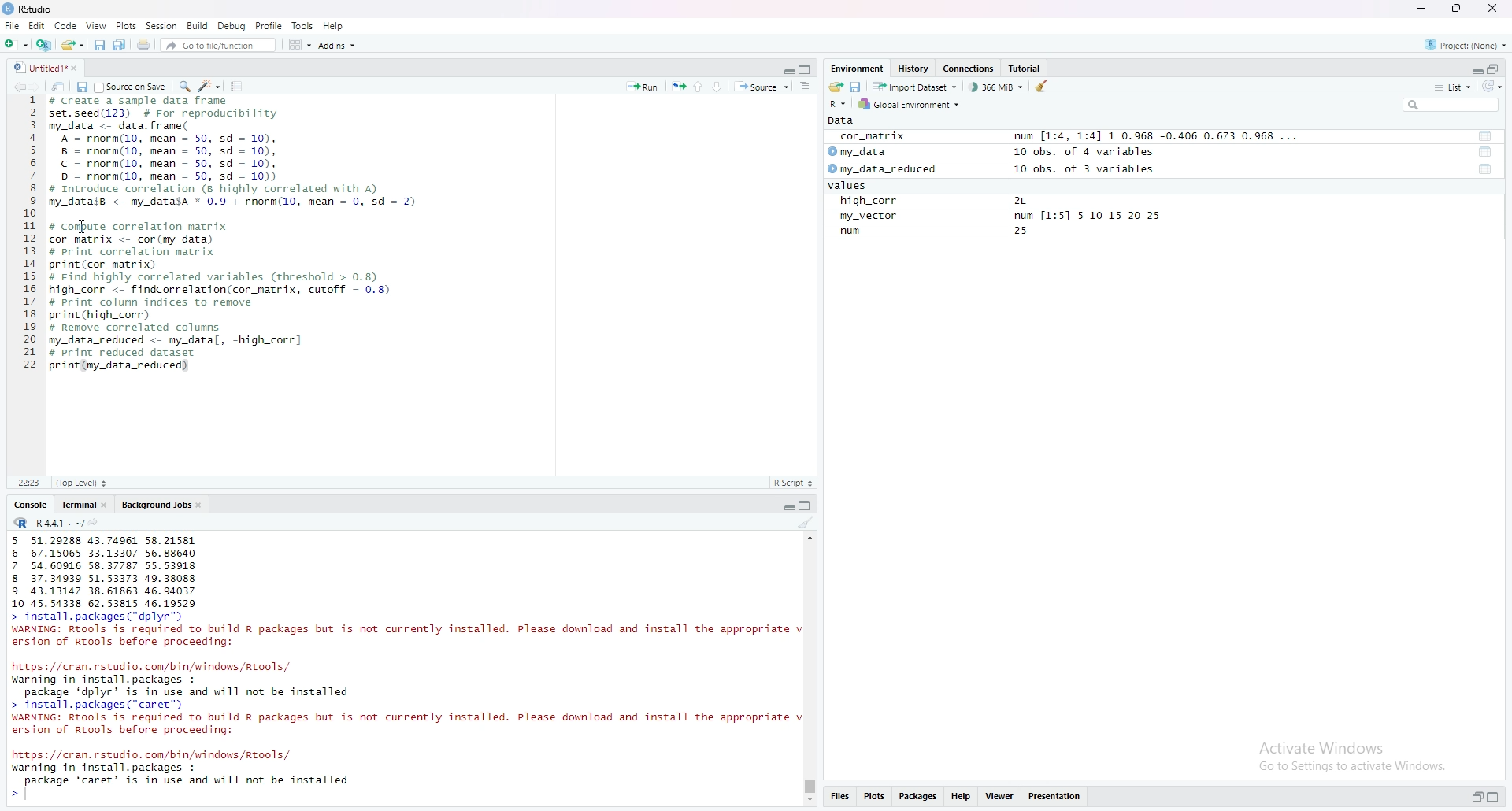  I want to click on cursor, so click(82, 227).